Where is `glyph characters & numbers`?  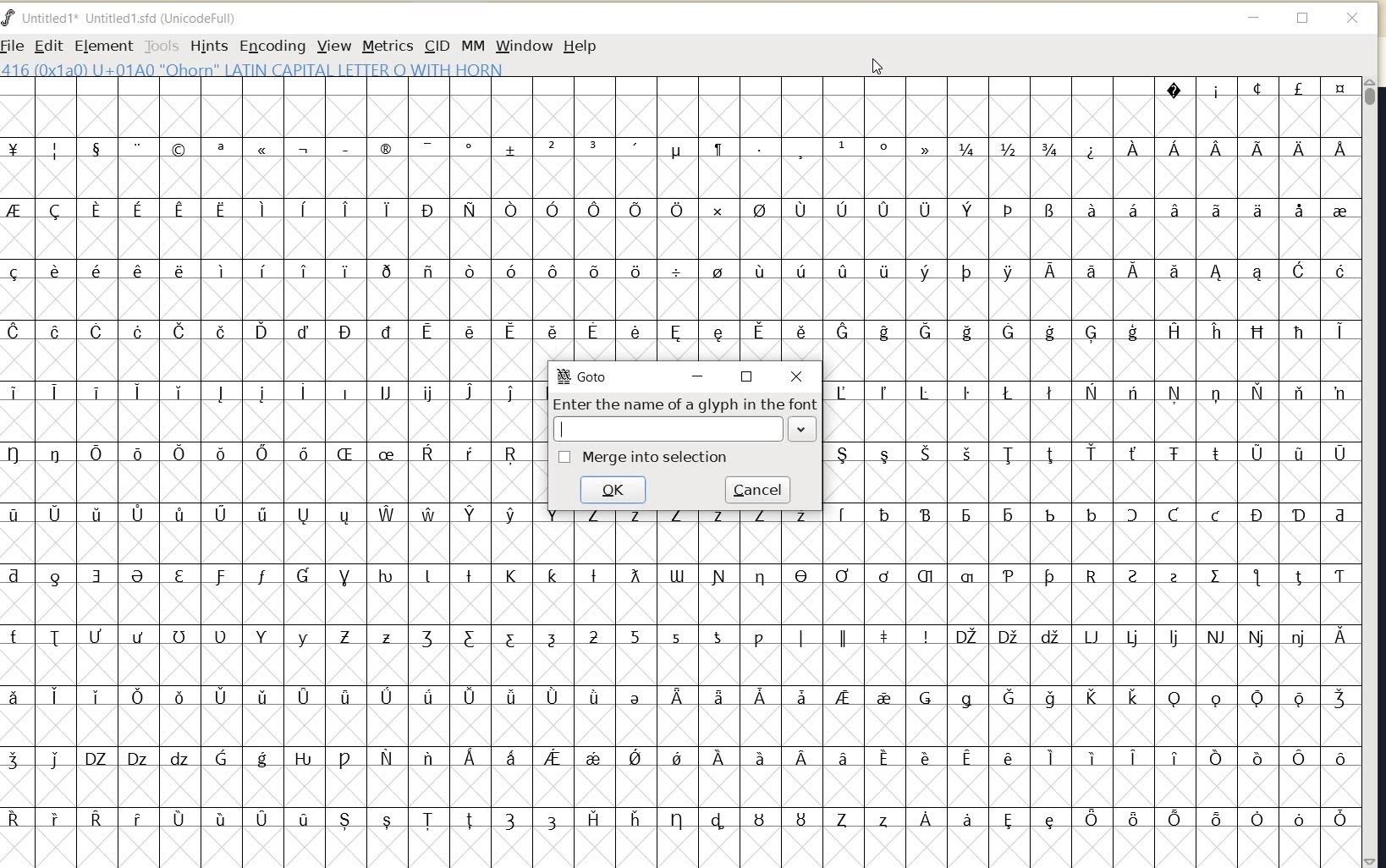 glyph characters & numbers is located at coordinates (679, 219).